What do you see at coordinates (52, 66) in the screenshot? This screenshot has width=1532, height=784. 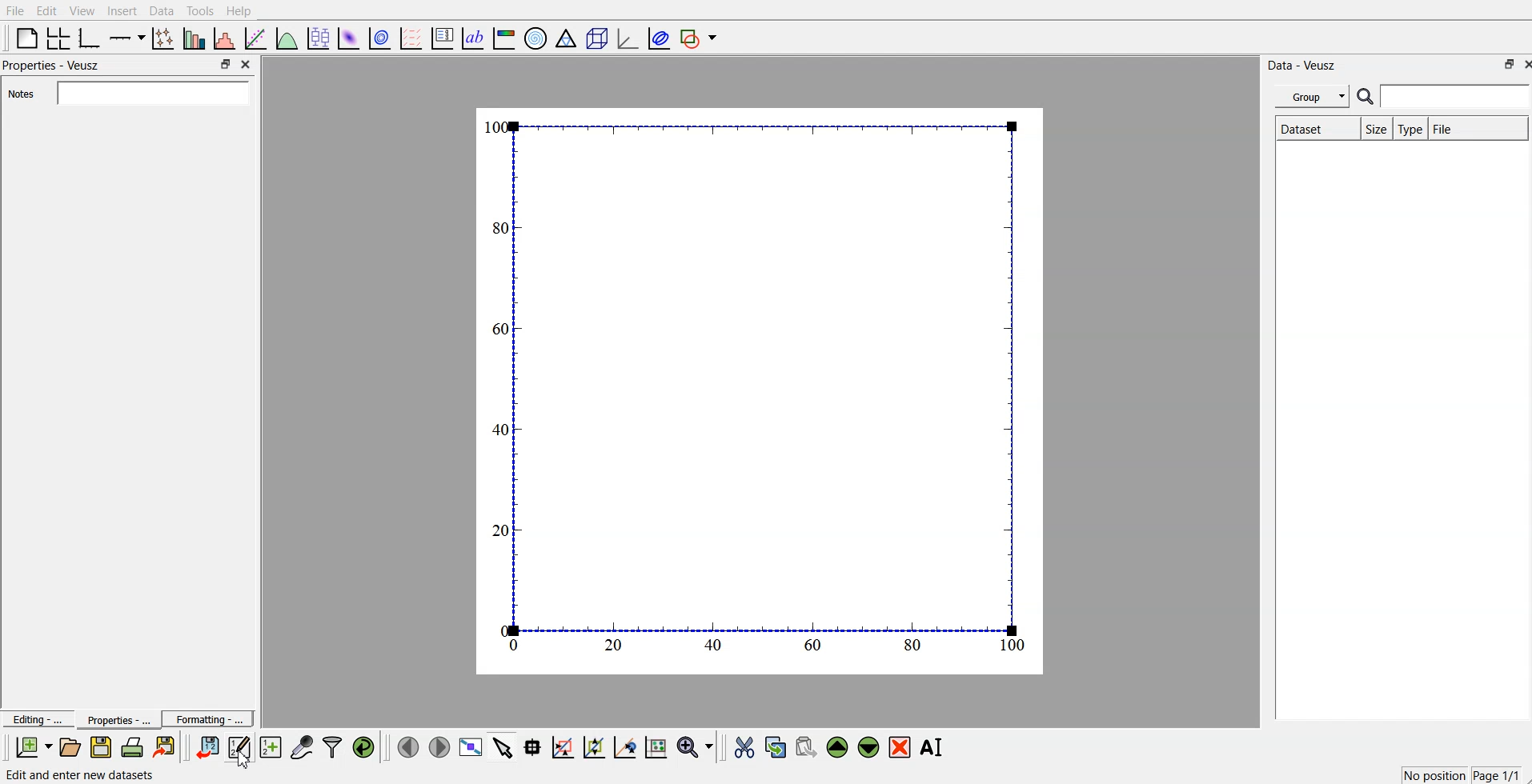 I see `Properties - Veusz` at bounding box center [52, 66].